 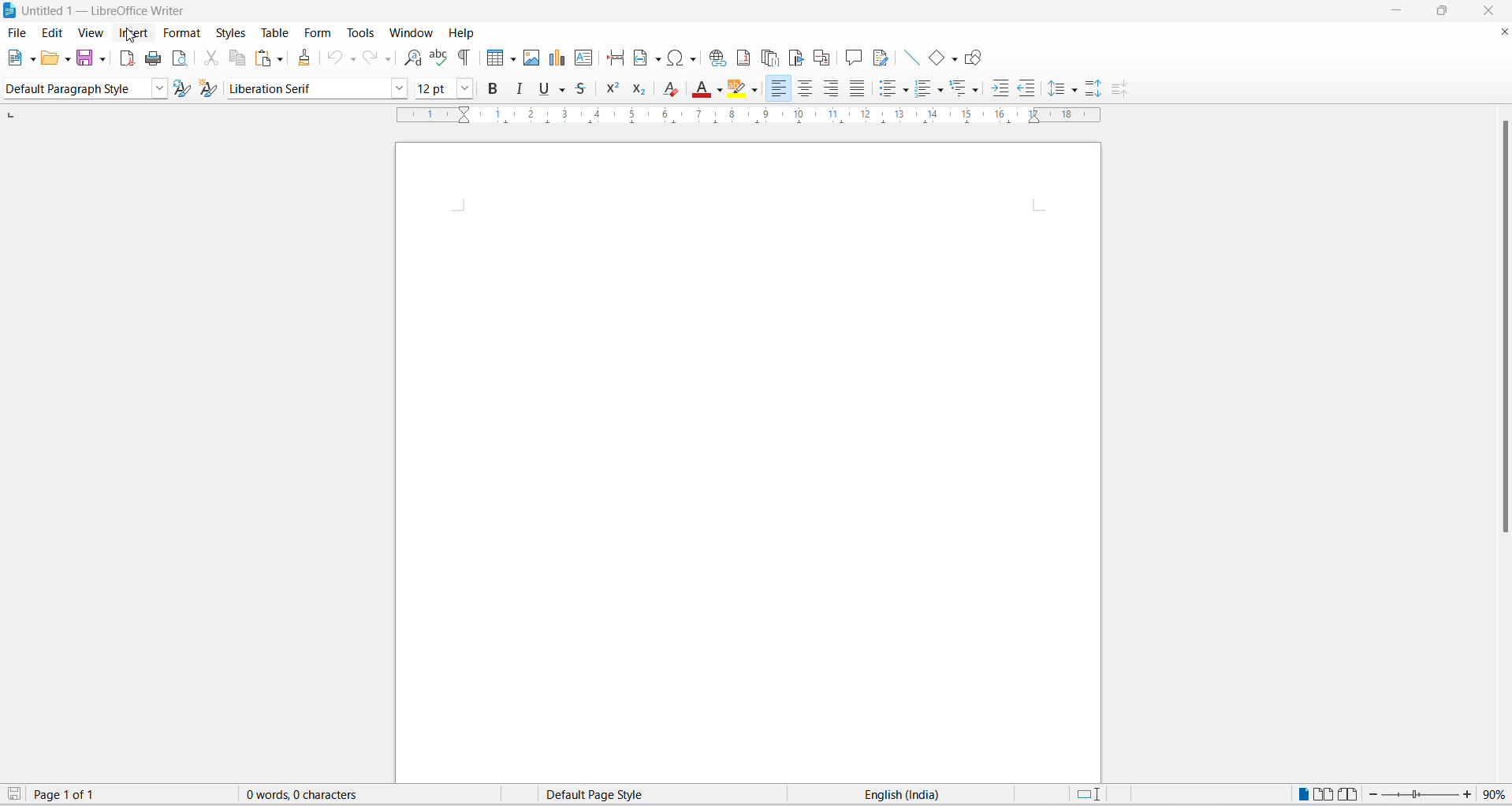 I want to click on basic shapes, so click(x=931, y=54).